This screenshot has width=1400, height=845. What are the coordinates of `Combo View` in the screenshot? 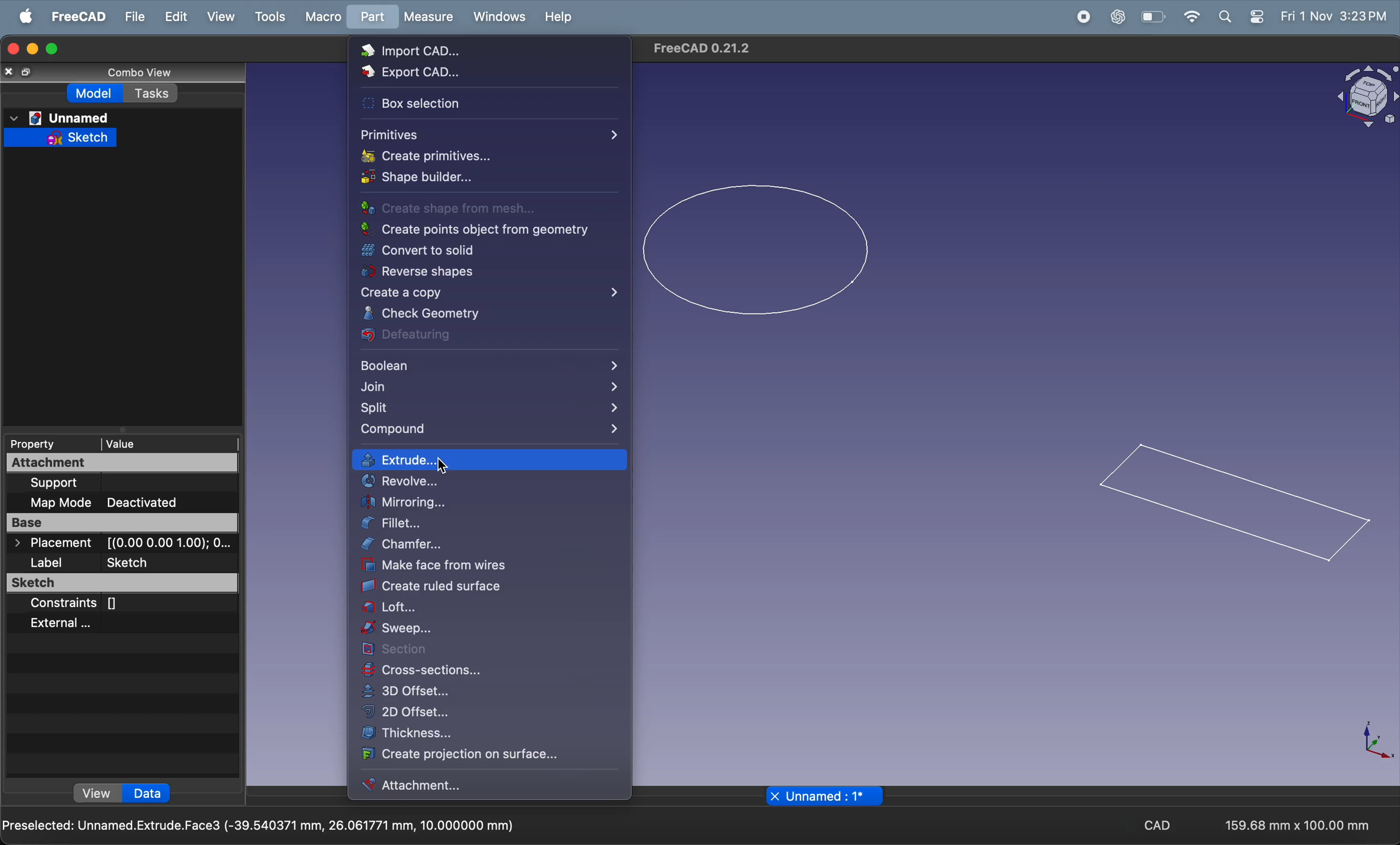 It's located at (142, 73).